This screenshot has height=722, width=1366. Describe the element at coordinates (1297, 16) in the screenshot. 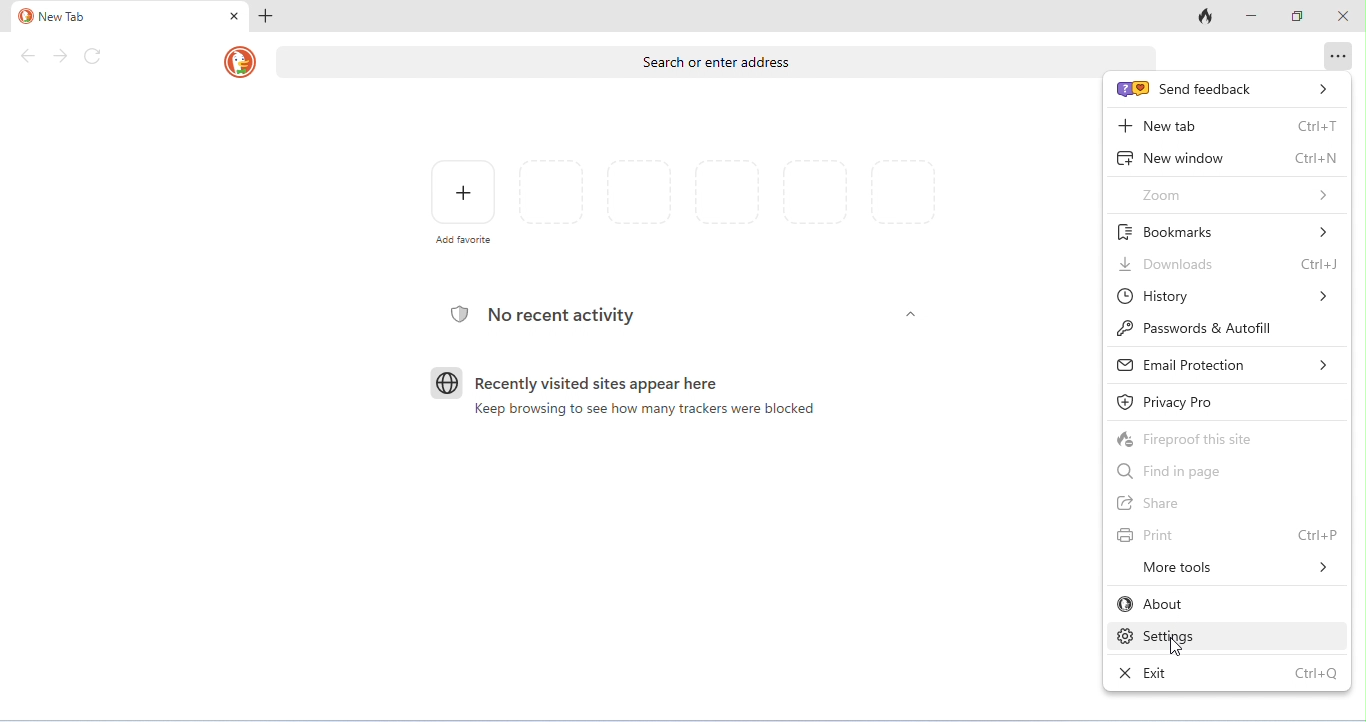

I see `maximize` at that location.